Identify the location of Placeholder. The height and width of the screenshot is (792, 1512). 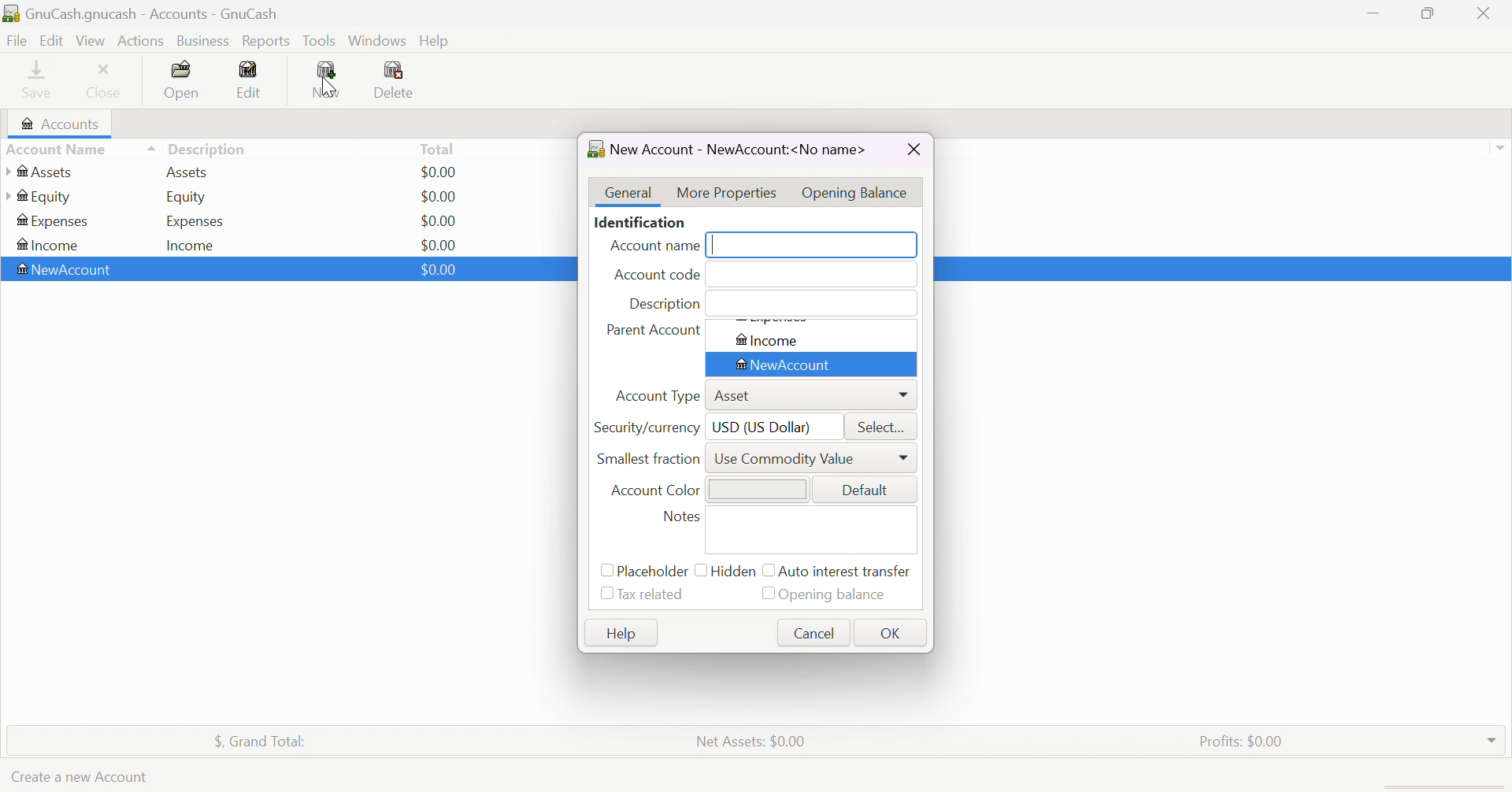
(654, 572).